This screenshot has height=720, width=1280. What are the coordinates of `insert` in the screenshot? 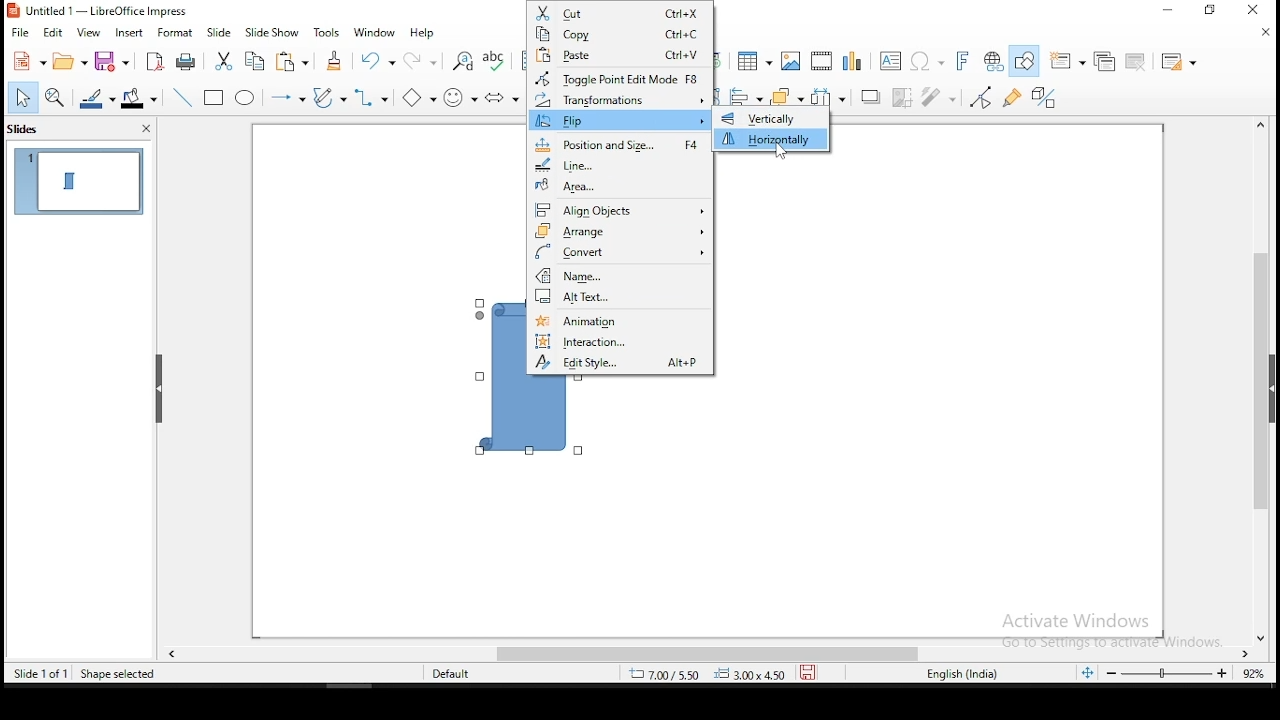 It's located at (131, 33).